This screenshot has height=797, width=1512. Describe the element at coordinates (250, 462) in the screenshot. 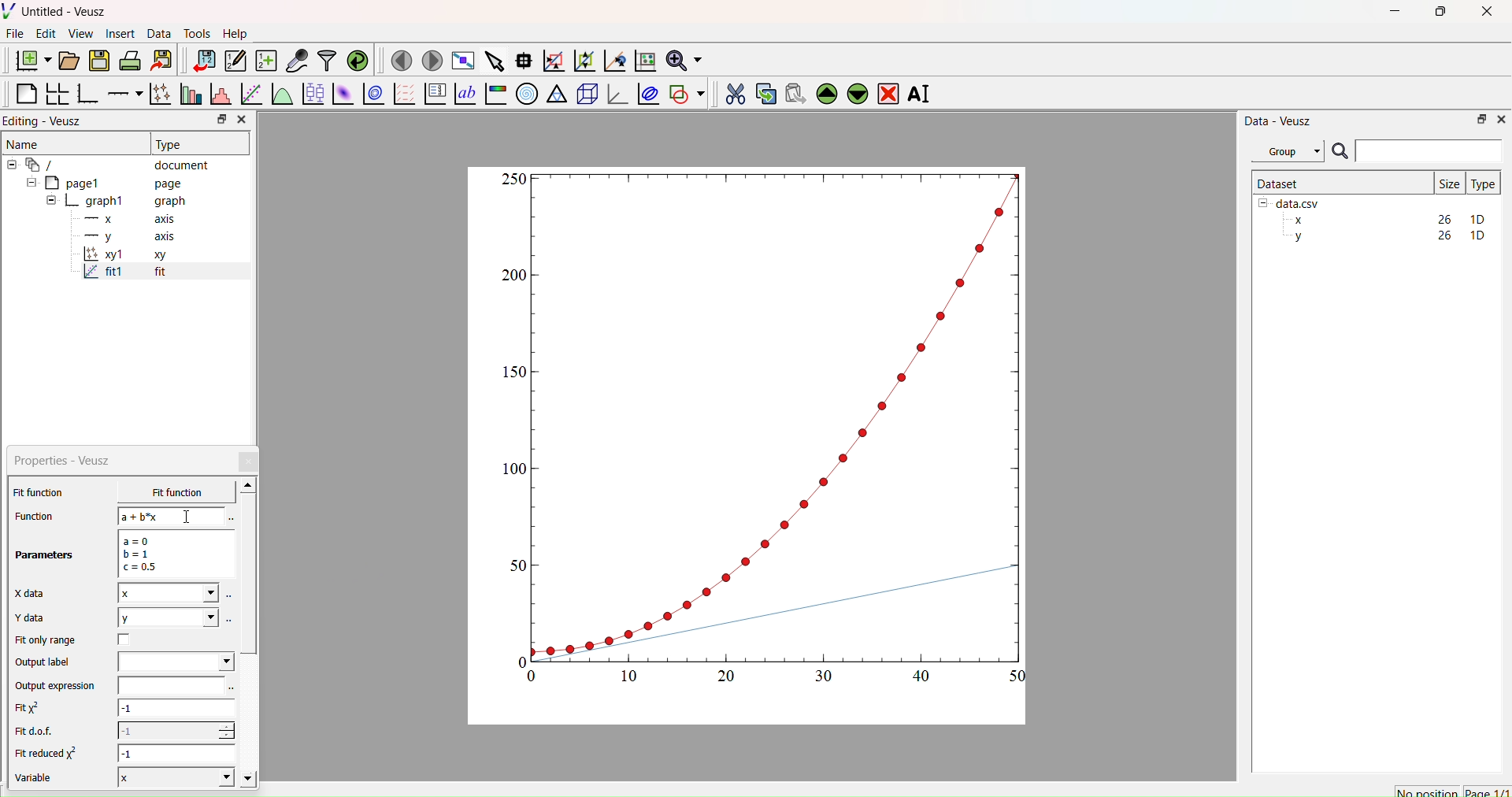

I see `Close` at that location.